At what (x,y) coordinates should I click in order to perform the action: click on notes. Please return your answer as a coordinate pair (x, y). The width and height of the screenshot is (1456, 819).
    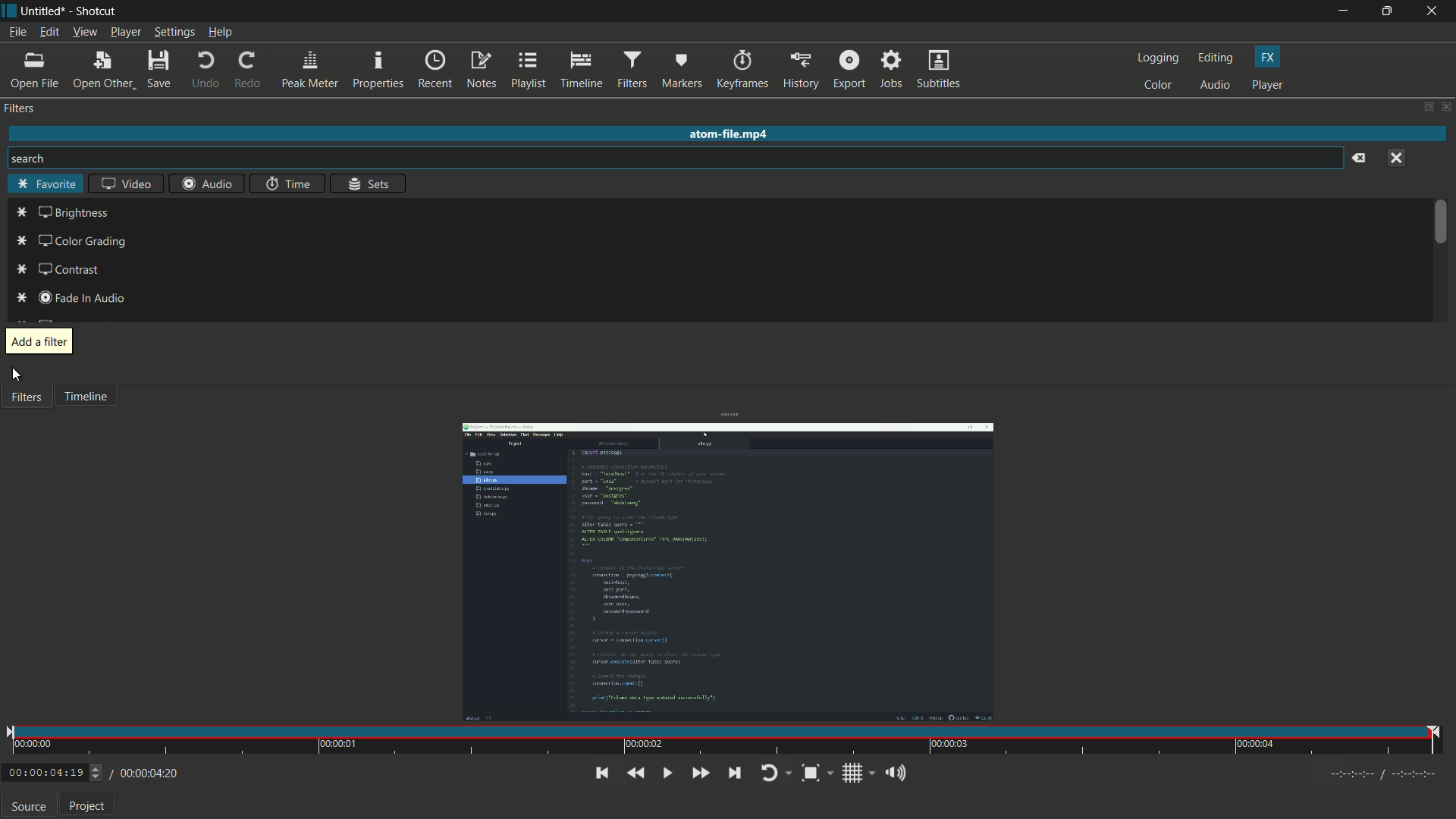
    Looking at the image, I should click on (482, 70).